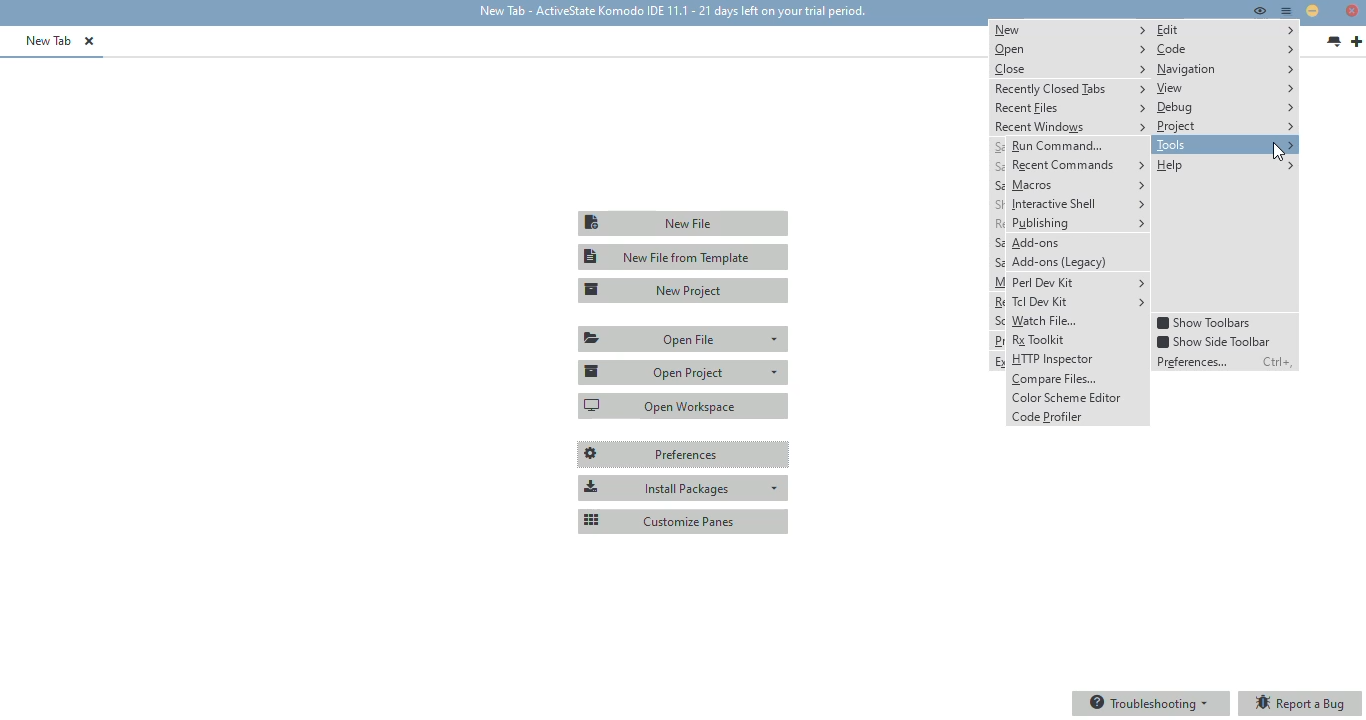 The height and width of the screenshot is (720, 1366). What do you see at coordinates (1076, 419) in the screenshot?
I see `Code Profiler` at bounding box center [1076, 419].